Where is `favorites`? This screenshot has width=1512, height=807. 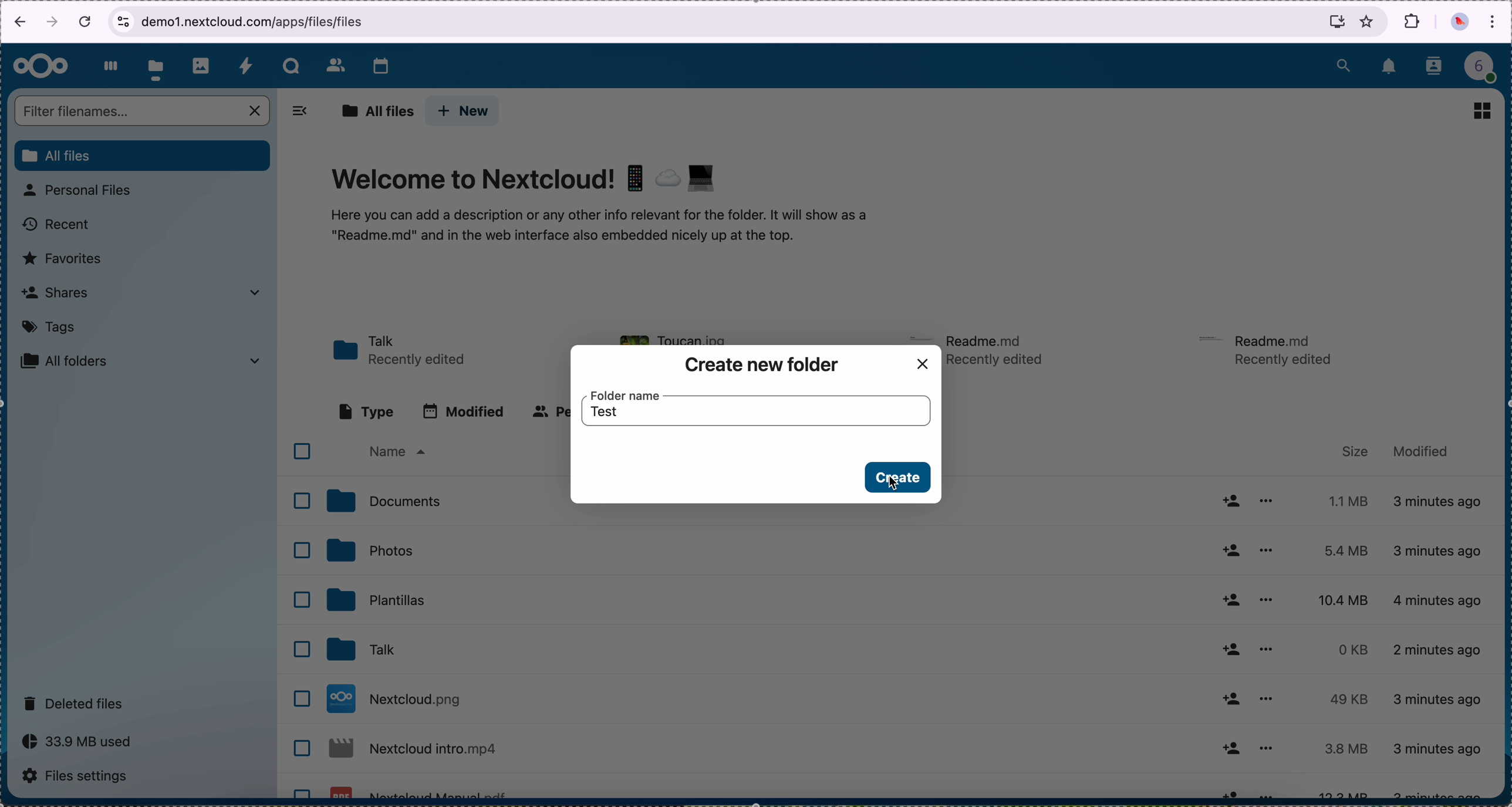
favorites is located at coordinates (1368, 21).